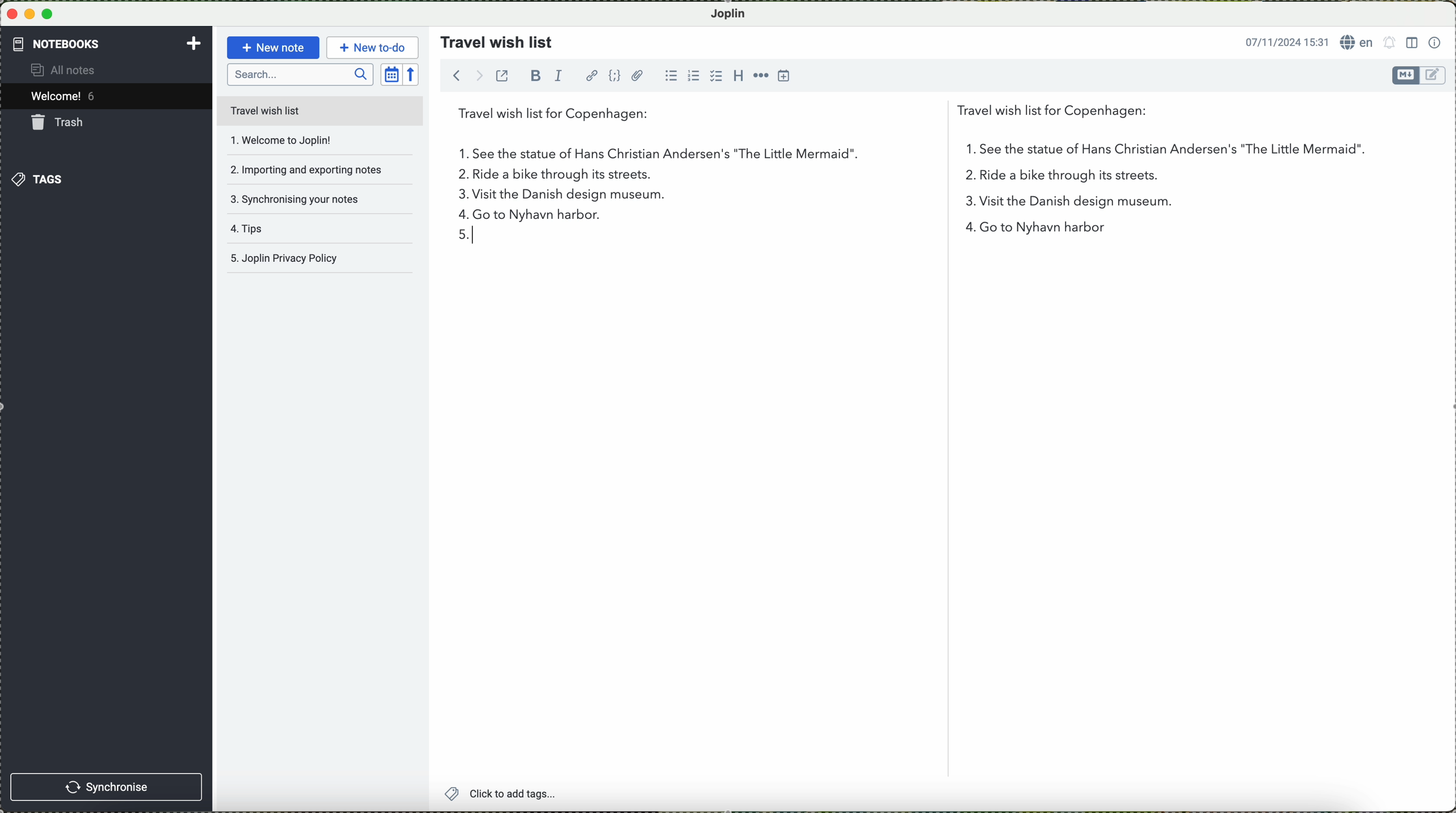 This screenshot has width=1456, height=813. I want to click on 4 in list, so click(461, 215).